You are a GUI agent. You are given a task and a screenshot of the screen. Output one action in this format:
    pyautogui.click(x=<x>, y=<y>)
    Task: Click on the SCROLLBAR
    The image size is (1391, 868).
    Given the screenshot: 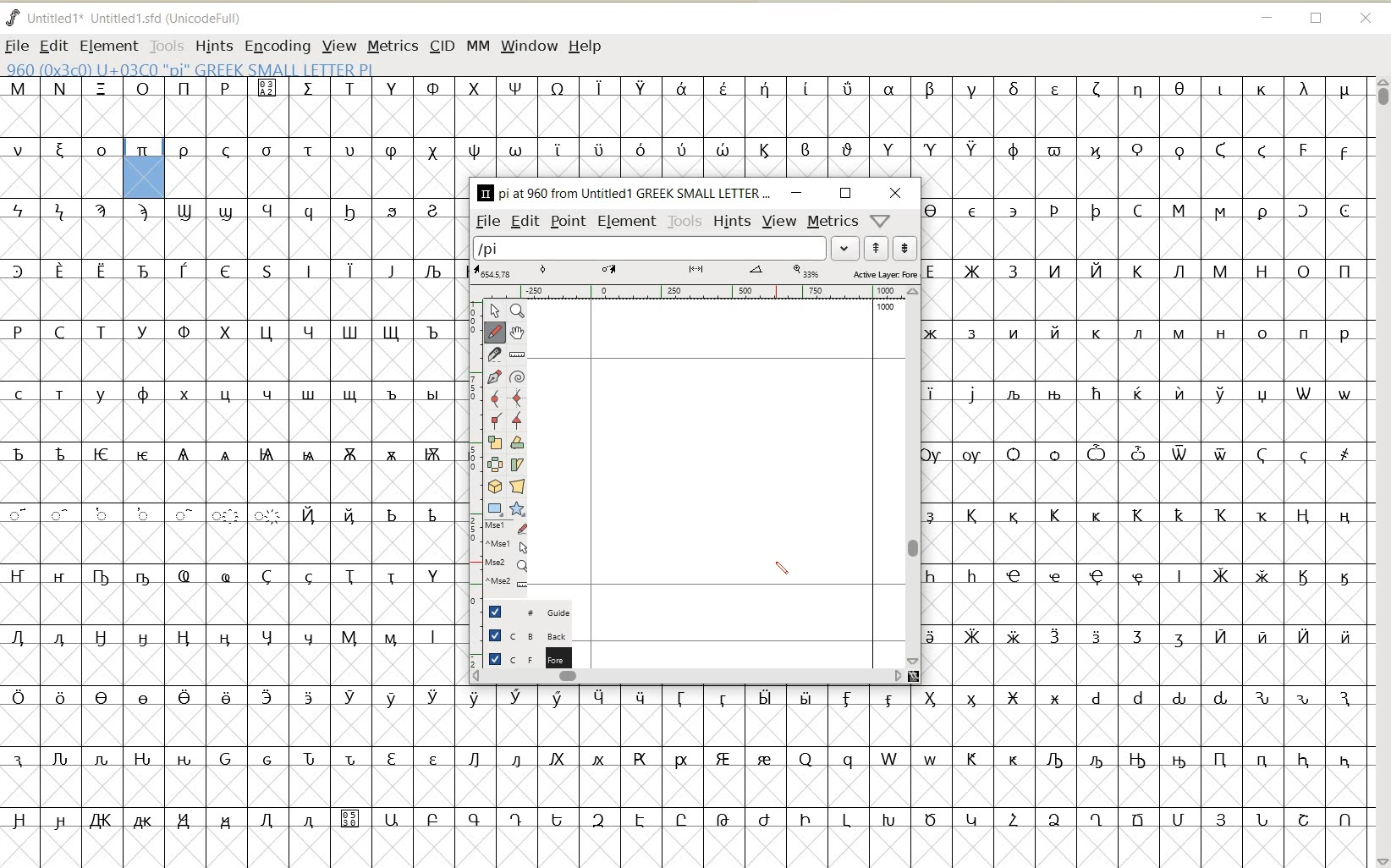 What is the action you would take?
    pyautogui.click(x=914, y=477)
    